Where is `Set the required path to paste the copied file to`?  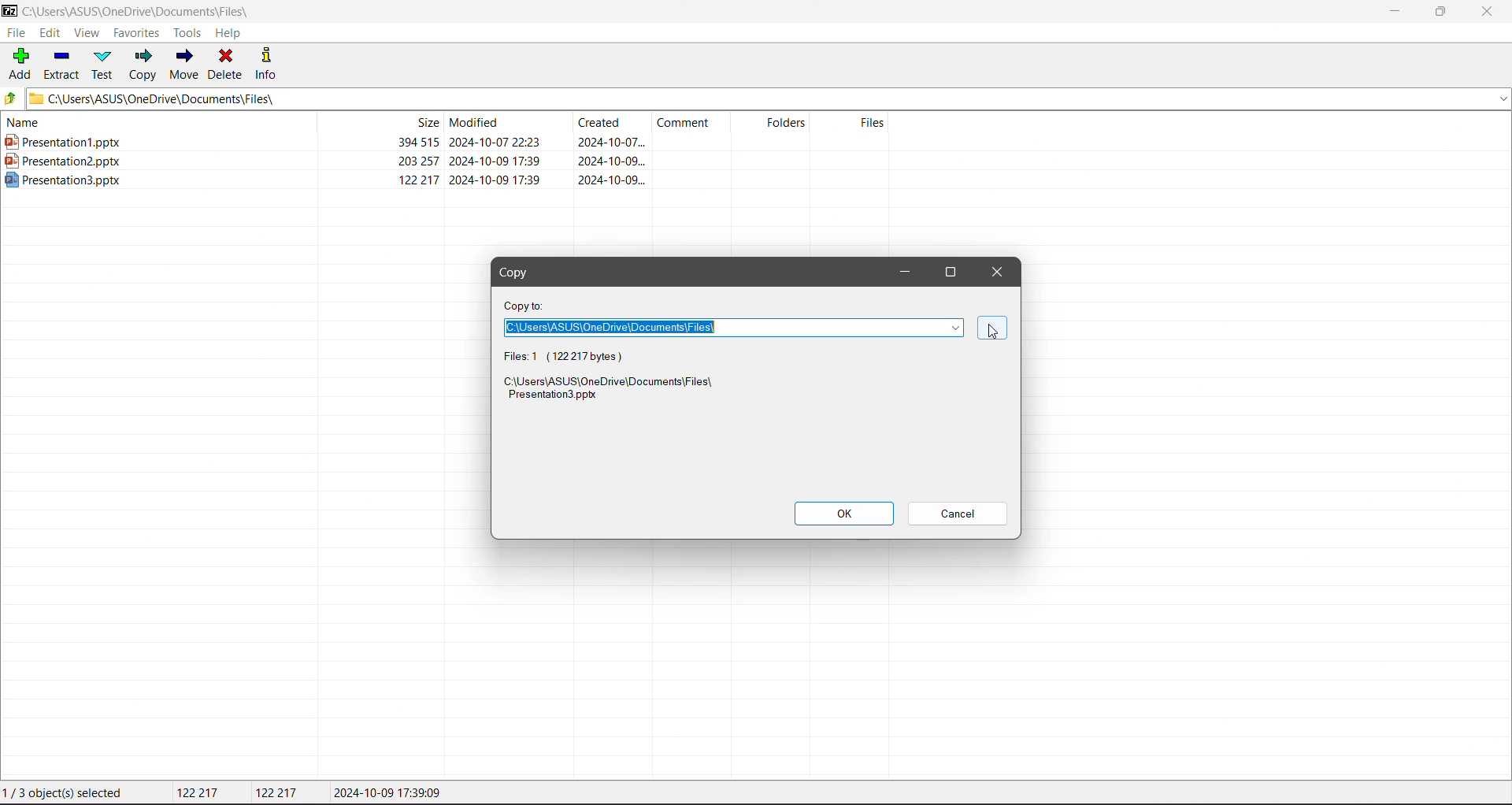 Set the required path to paste the copied file to is located at coordinates (733, 329).